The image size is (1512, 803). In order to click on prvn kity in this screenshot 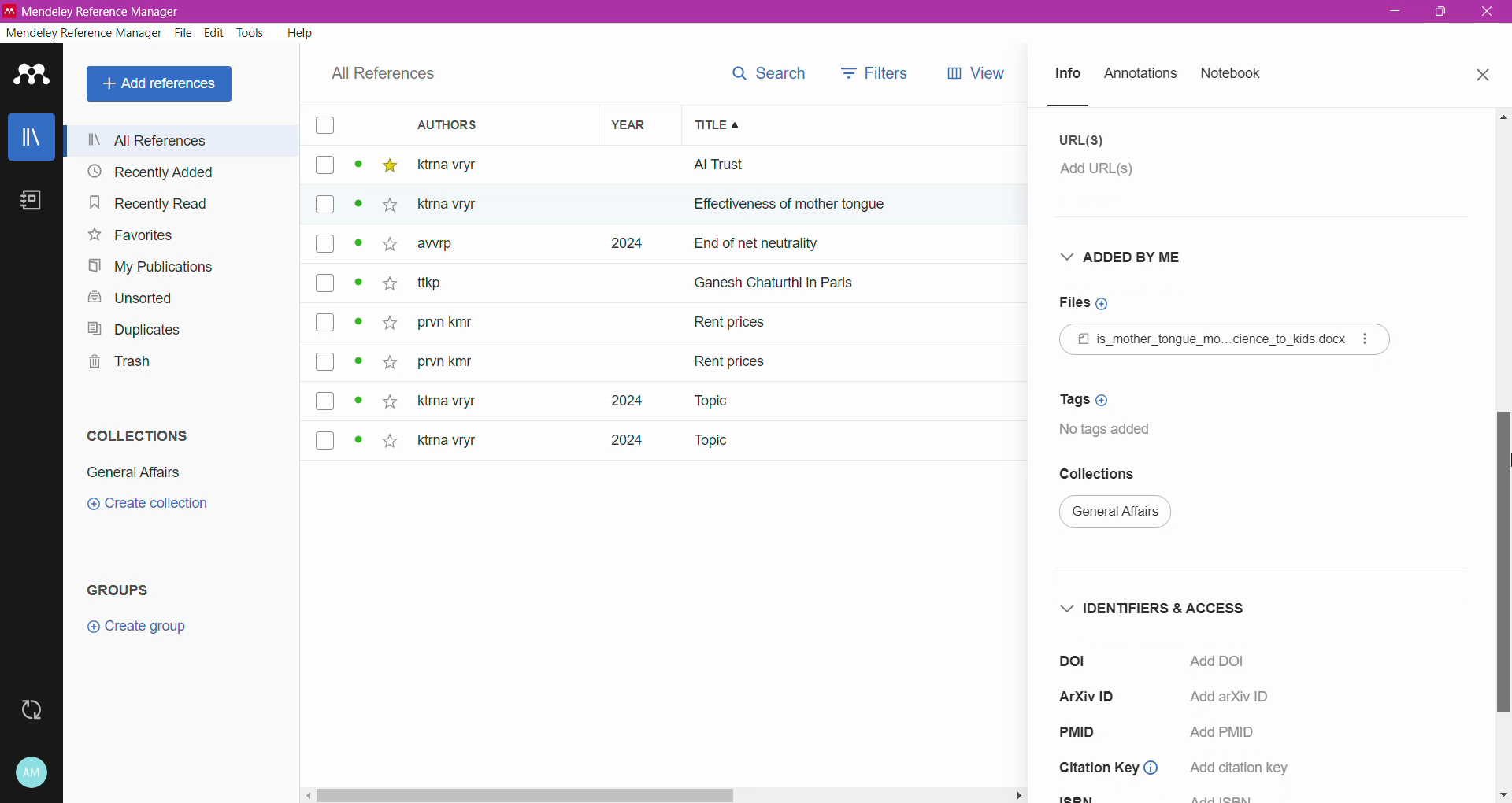, I will do `click(454, 324)`.